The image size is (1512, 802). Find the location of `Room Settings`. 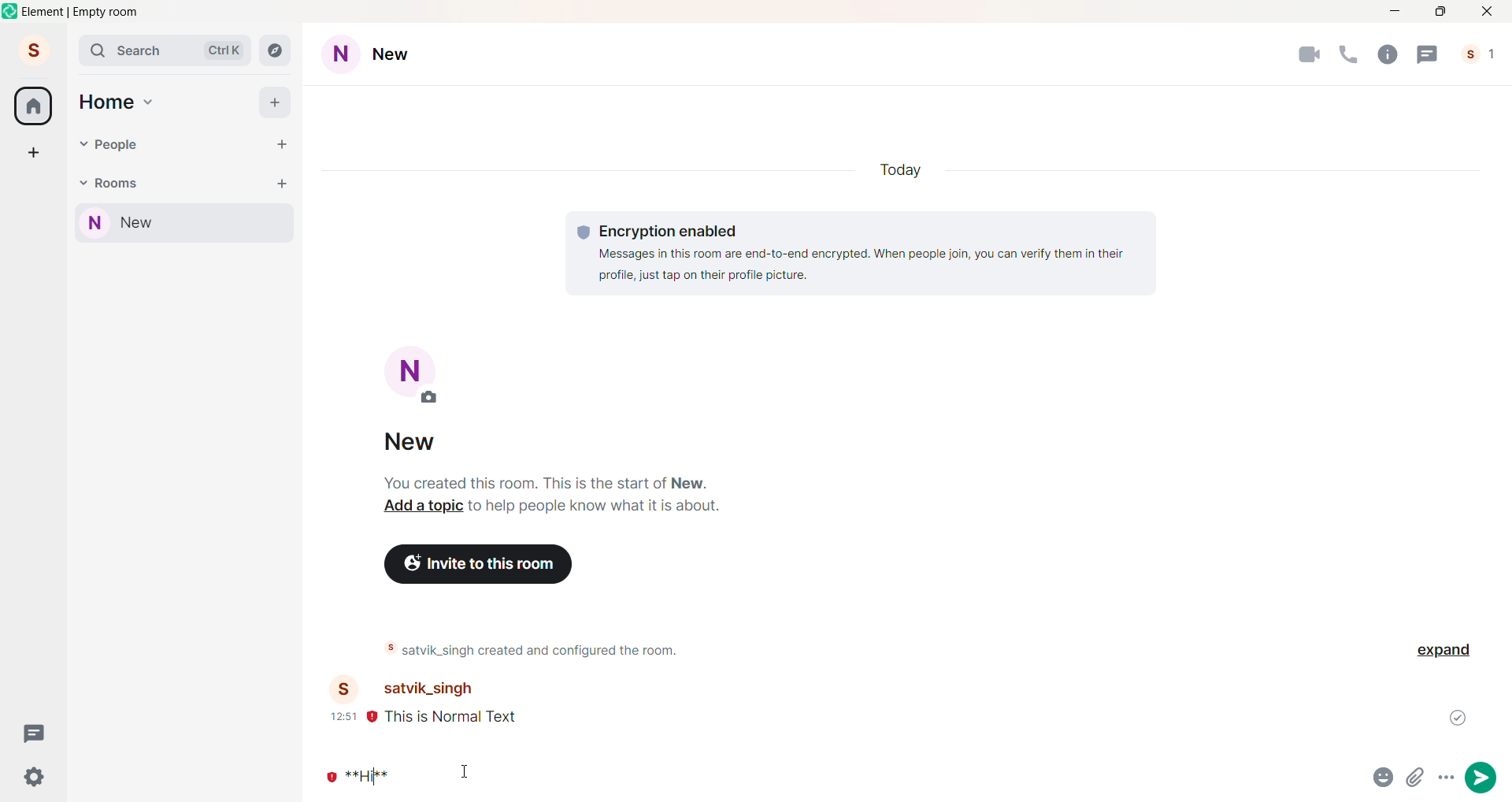

Room Settings is located at coordinates (383, 55).